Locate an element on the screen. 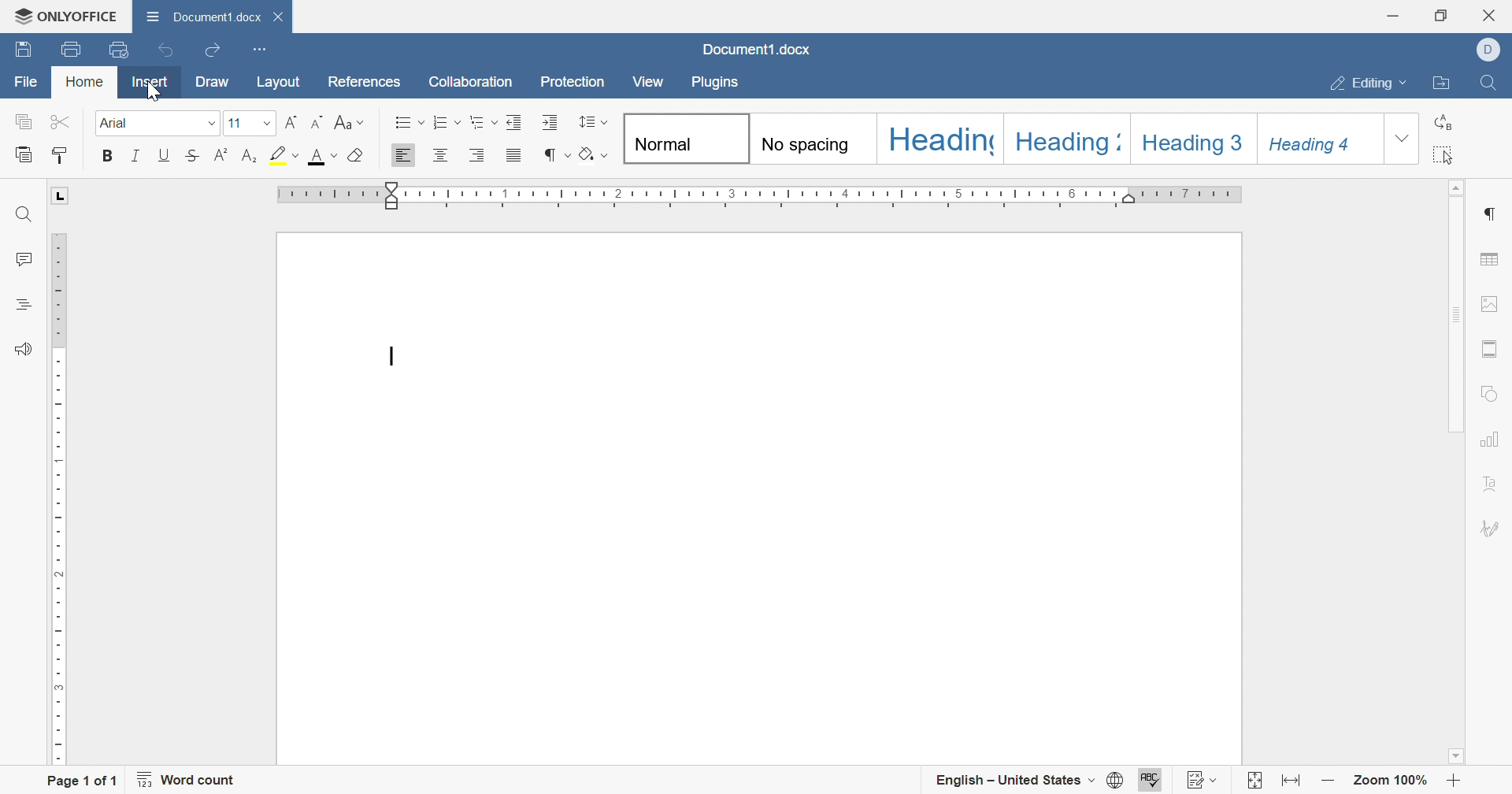 This screenshot has width=1512, height=794. Justified is located at coordinates (514, 155).